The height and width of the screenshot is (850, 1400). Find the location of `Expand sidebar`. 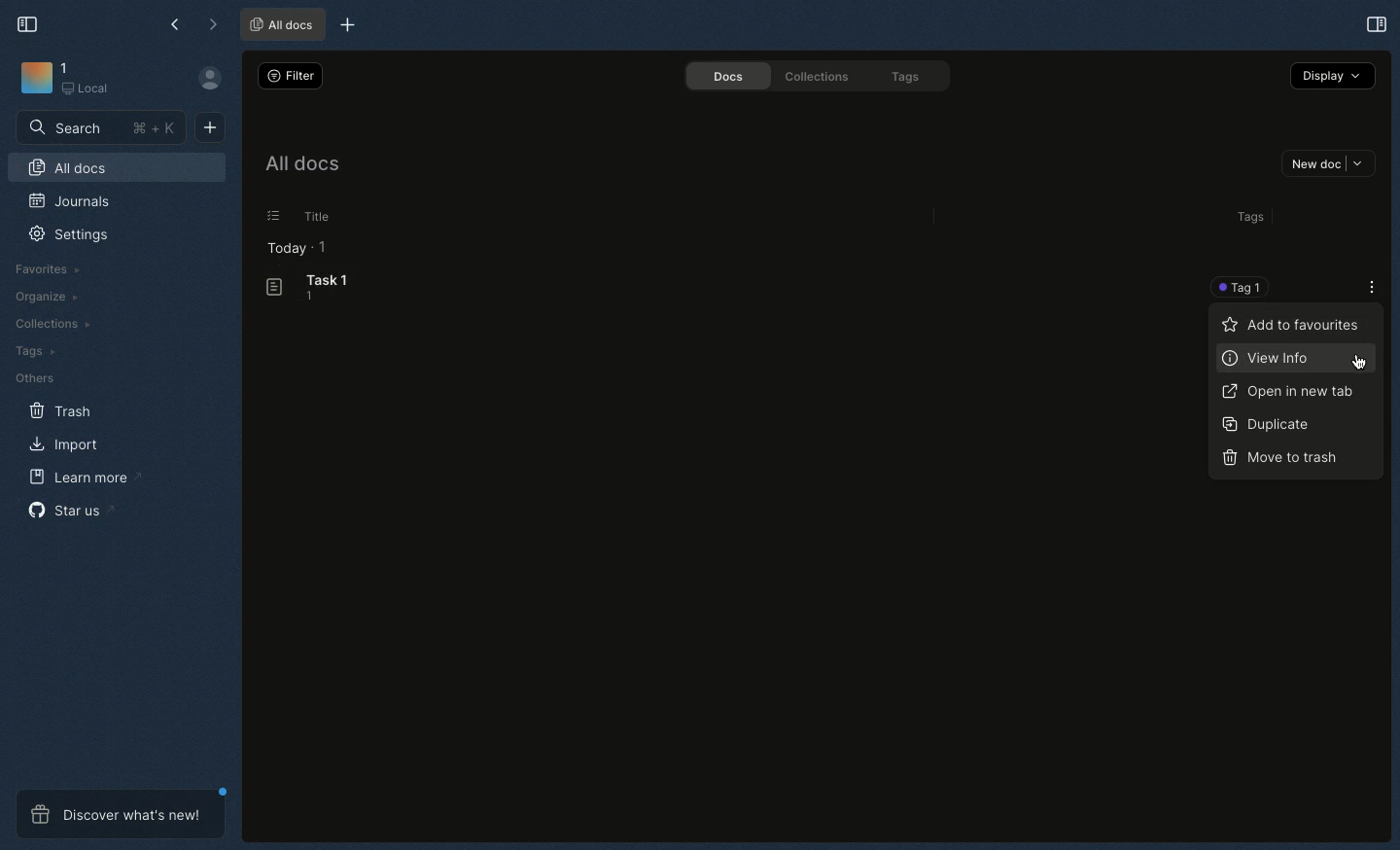

Expand sidebar is located at coordinates (24, 23).